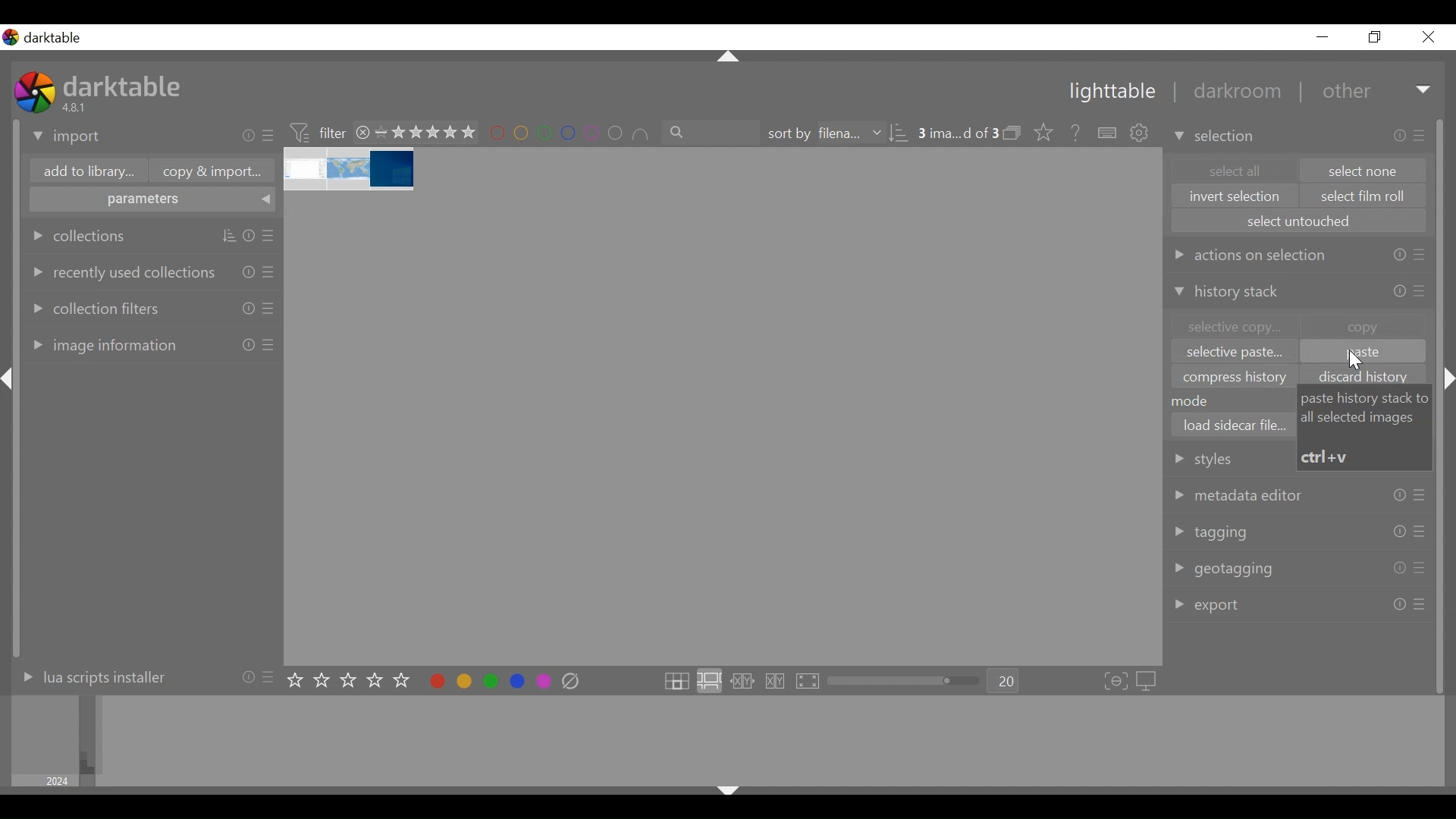 The width and height of the screenshot is (1456, 819). Describe the element at coordinates (121, 271) in the screenshot. I see `recently used collections` at that location.